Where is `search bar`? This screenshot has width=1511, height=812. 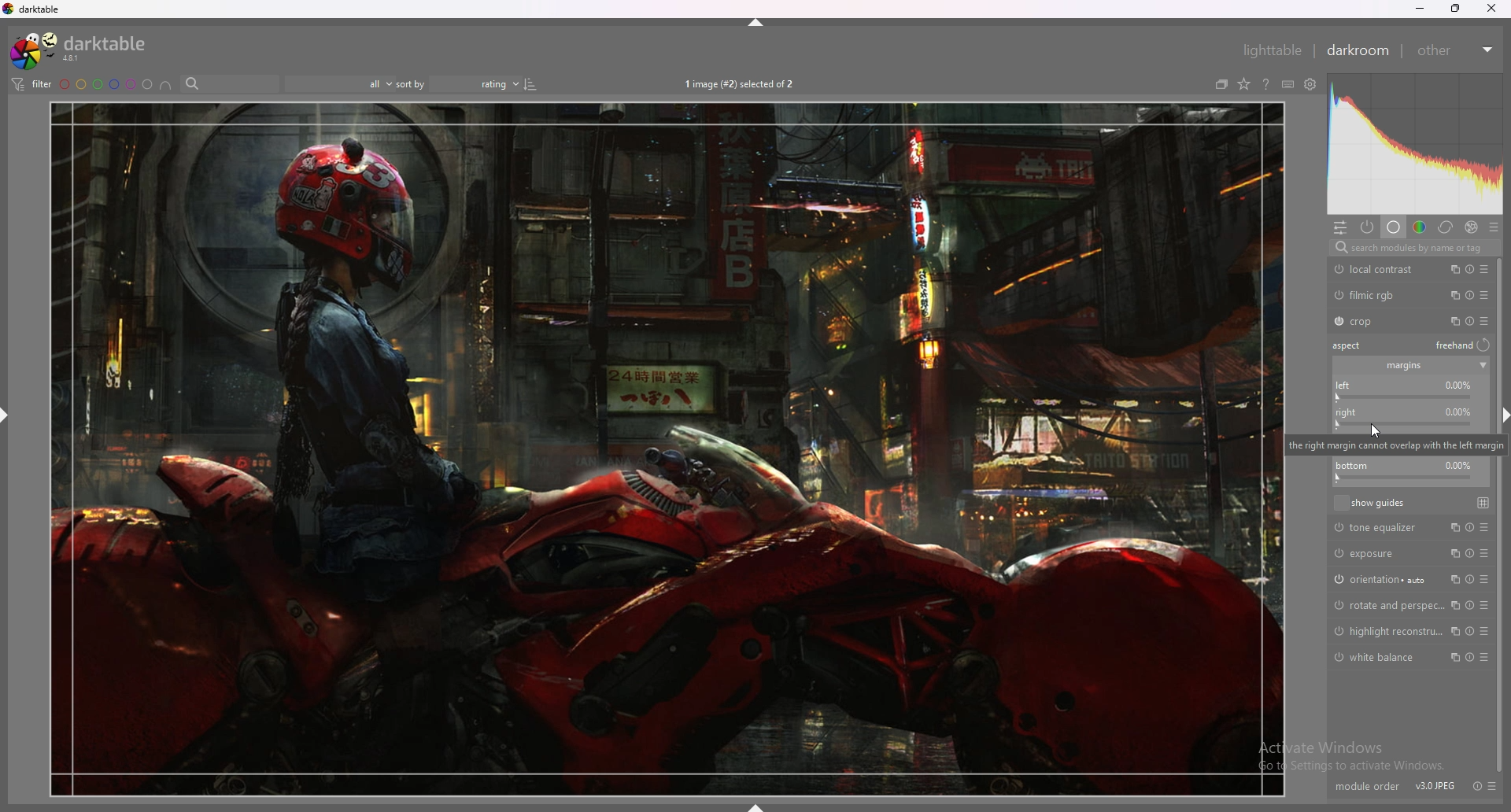 search bar is located at coordinates (229, 83).